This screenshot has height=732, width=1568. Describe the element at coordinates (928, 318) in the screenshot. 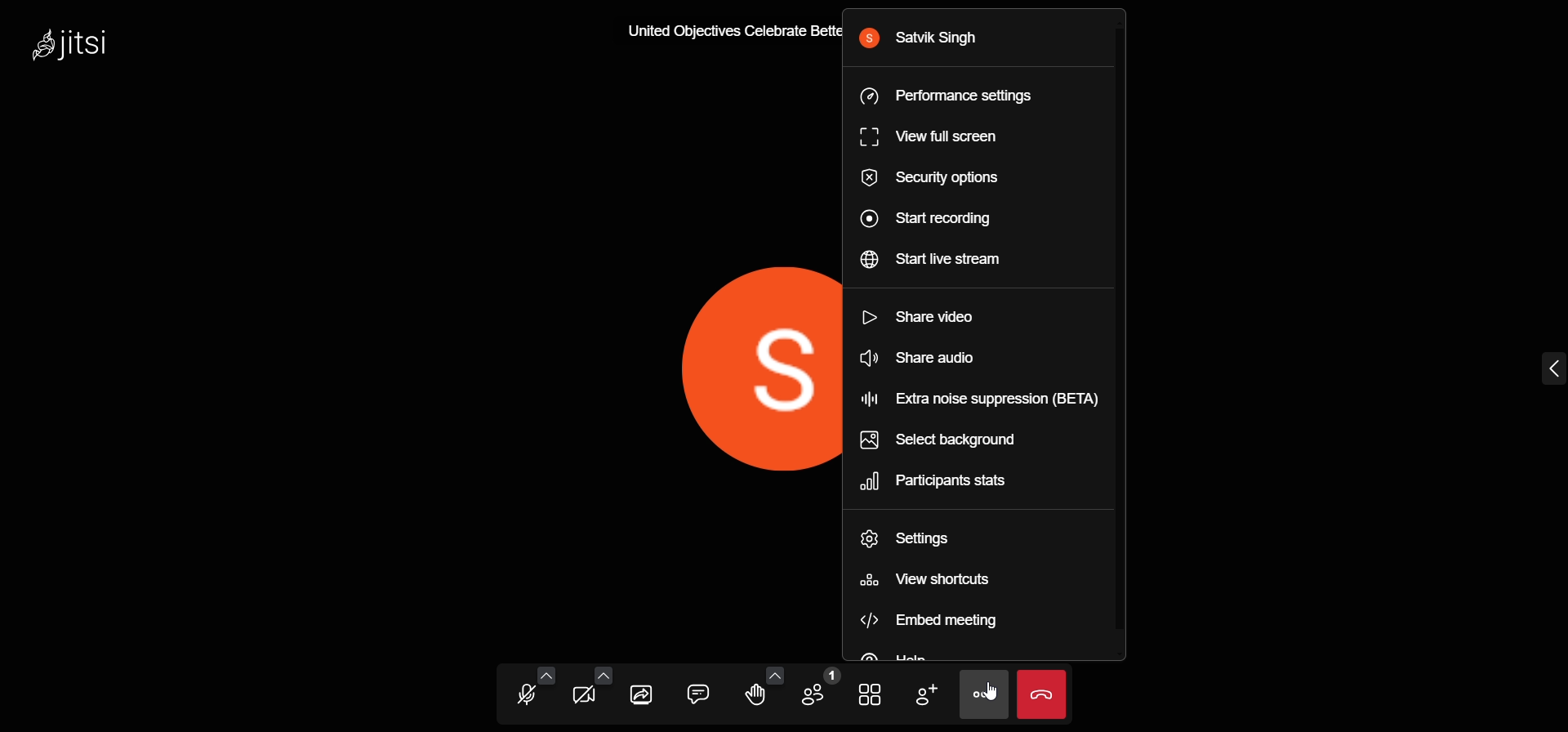

I see `share video` at that location.